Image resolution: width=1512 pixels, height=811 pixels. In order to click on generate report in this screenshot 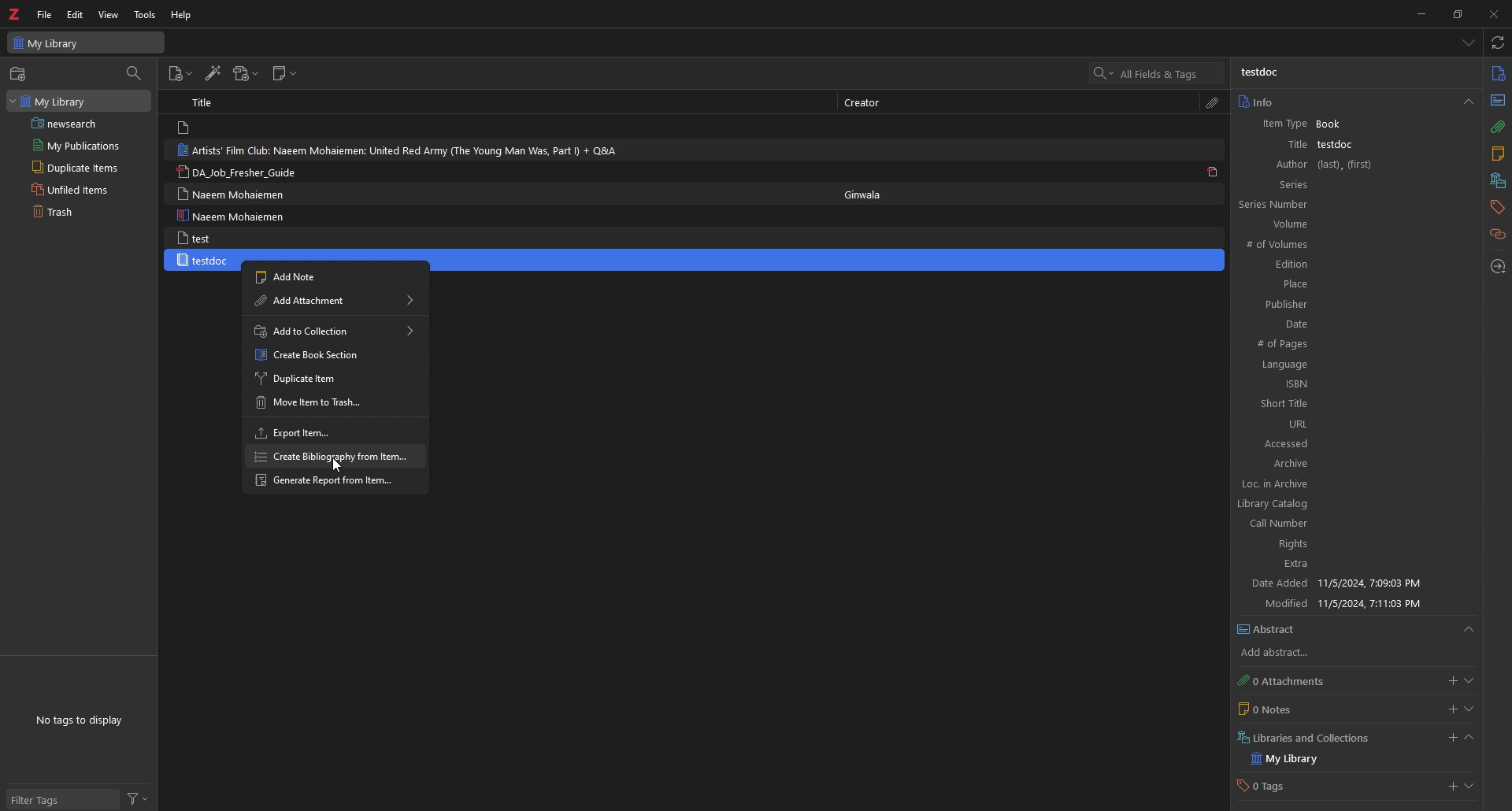, I will do `click(334, 482)`.